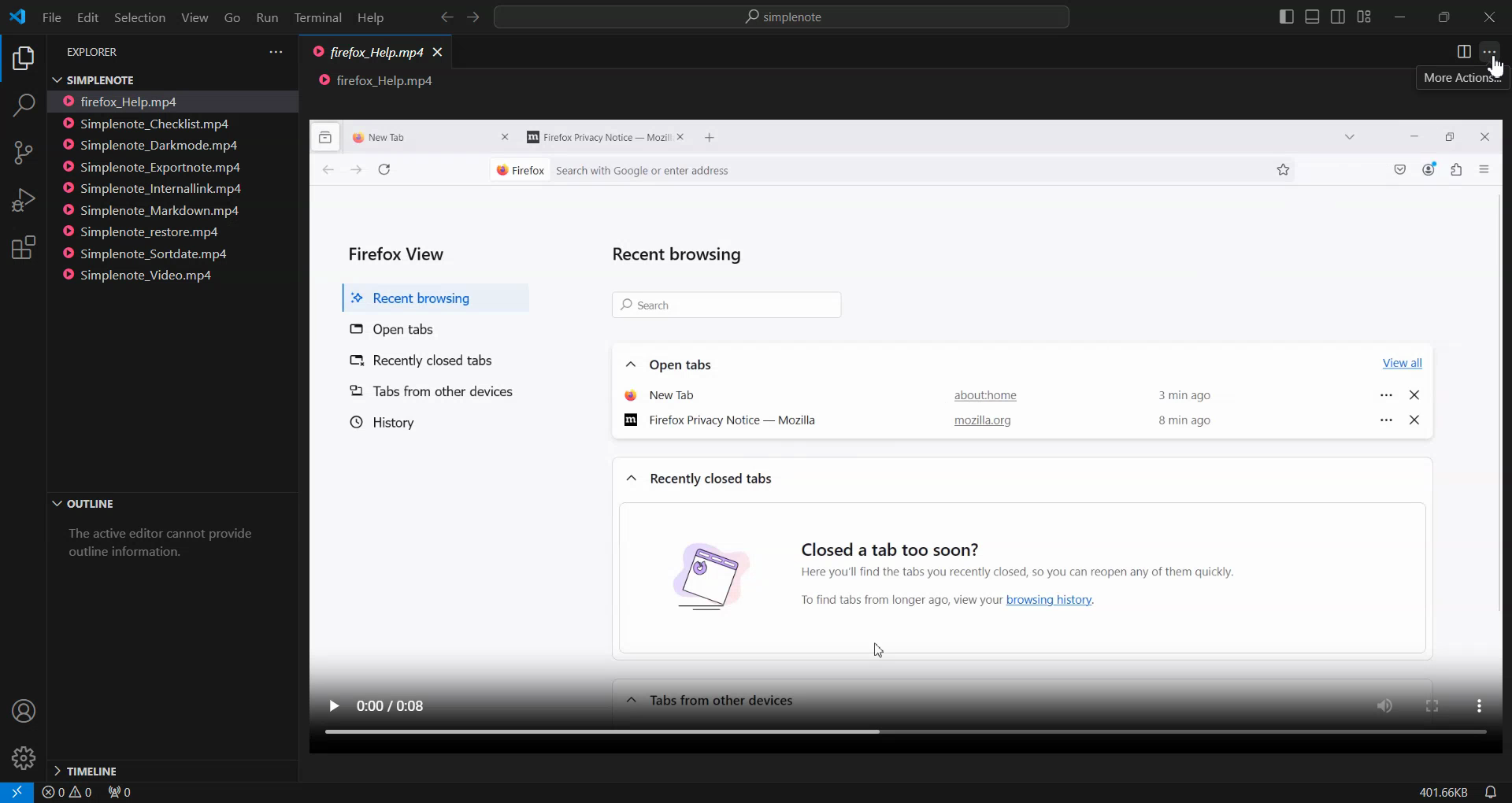  What do you see at coordinates (1312, 17) in the screenshot?
I see `Toggle pannel` at bounding box center [1312, 17].